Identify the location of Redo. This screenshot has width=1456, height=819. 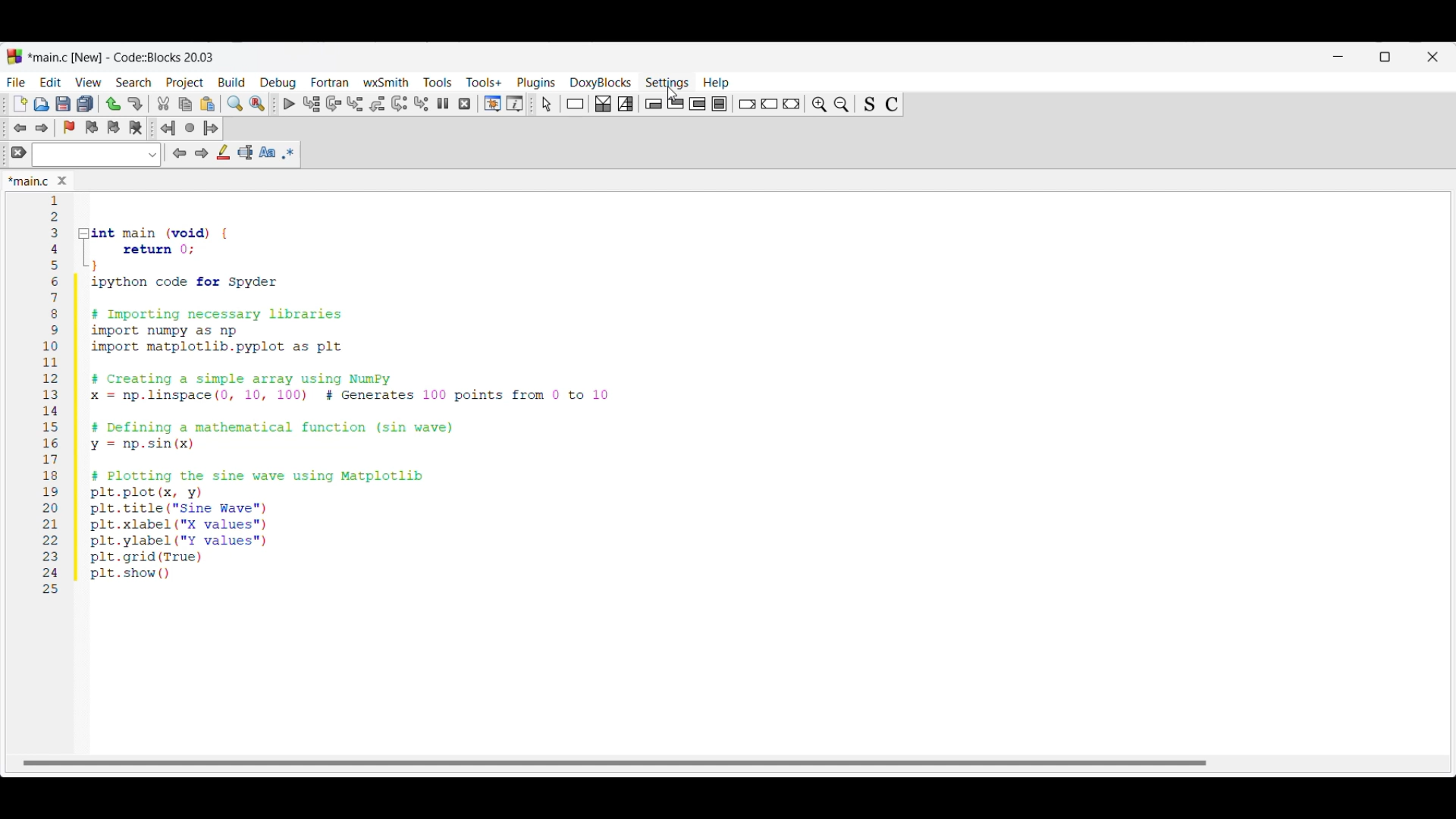
(135, 104).